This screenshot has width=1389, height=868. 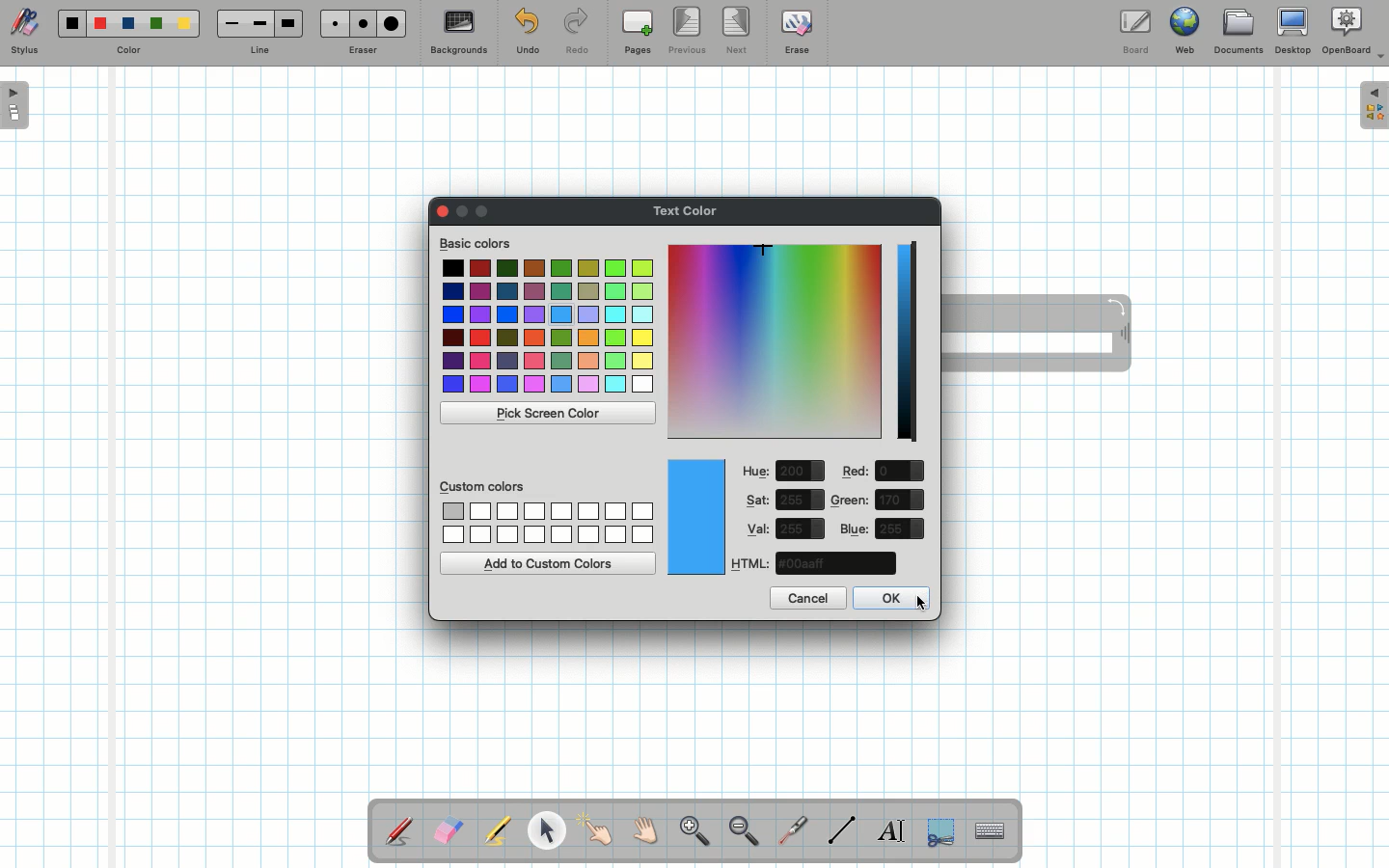 What do you see at coordinates (888, 598) in the screenshot?
I see `OK` at bounding box center [888, 598].